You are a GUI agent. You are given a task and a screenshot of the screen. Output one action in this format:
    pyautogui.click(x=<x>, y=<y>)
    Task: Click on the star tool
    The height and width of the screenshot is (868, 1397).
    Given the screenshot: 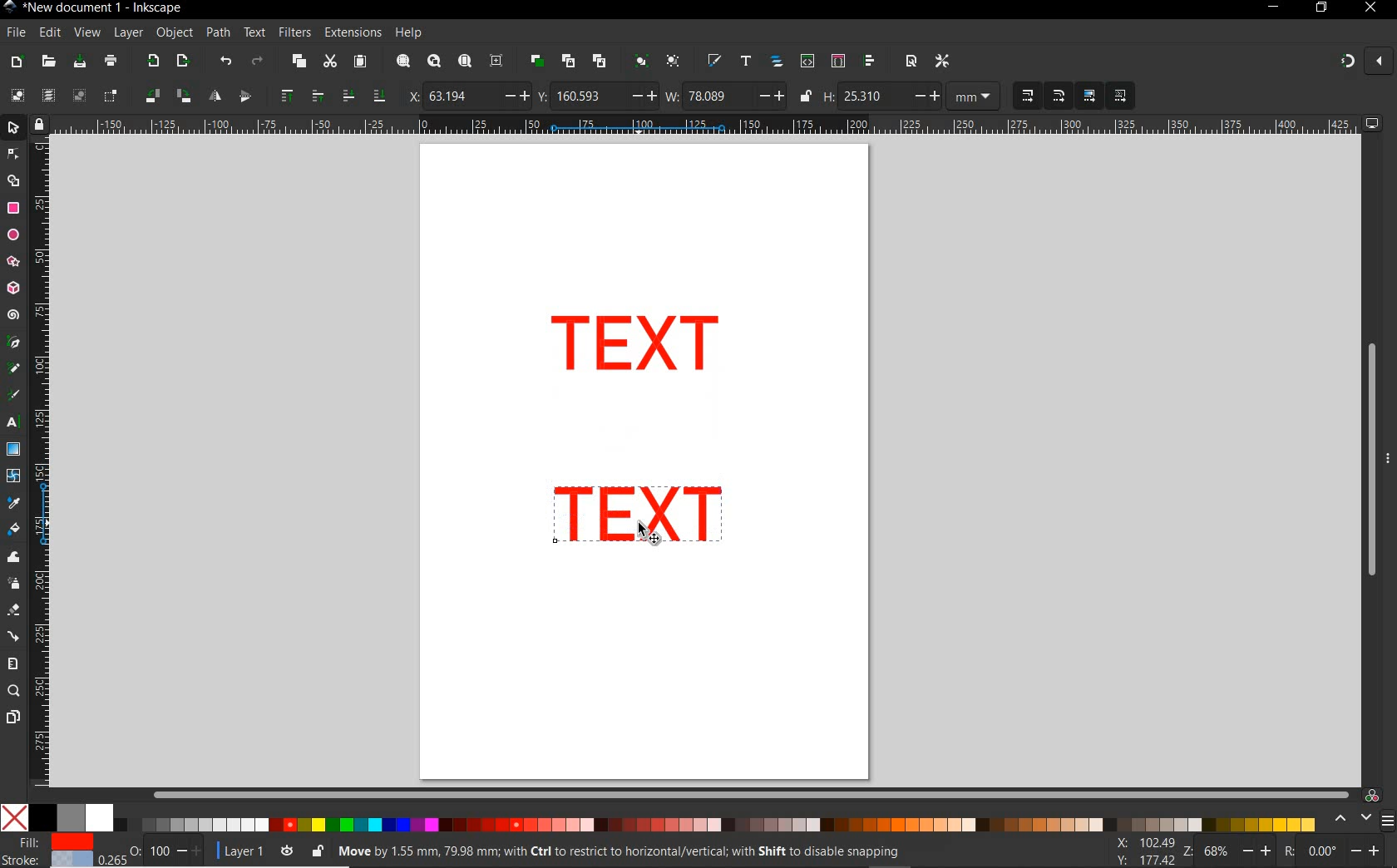 What is the action you would take?
    pyautogui.click(x=13, y=262)
    